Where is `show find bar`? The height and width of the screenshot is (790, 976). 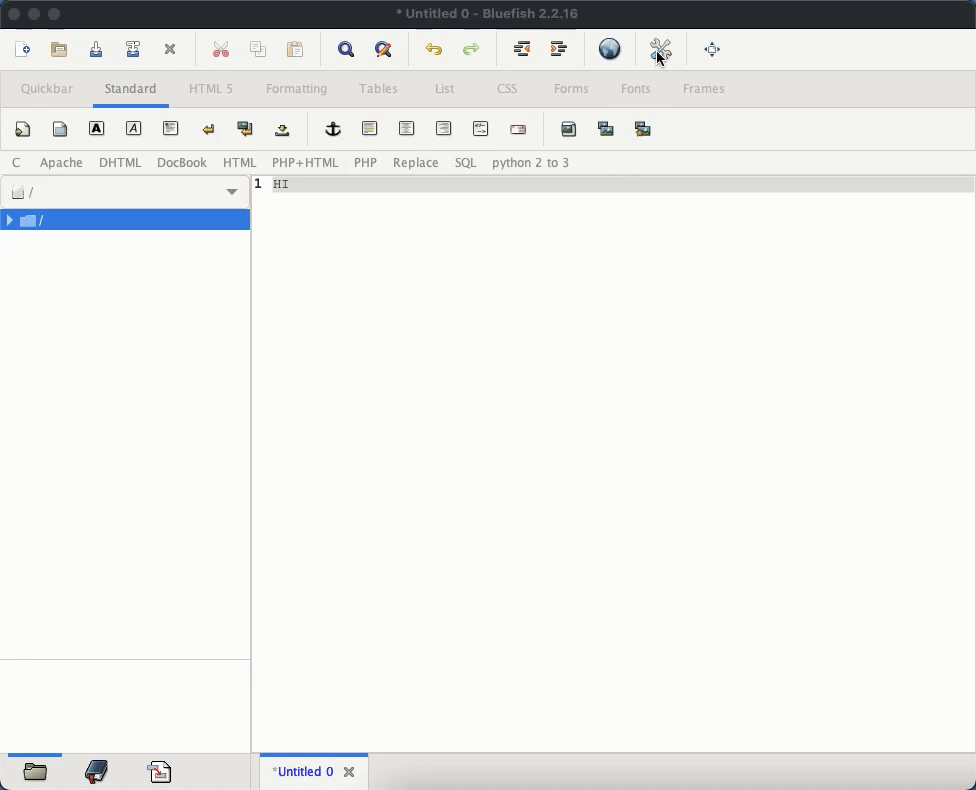
show find bar is located at coordinates (346, 50).